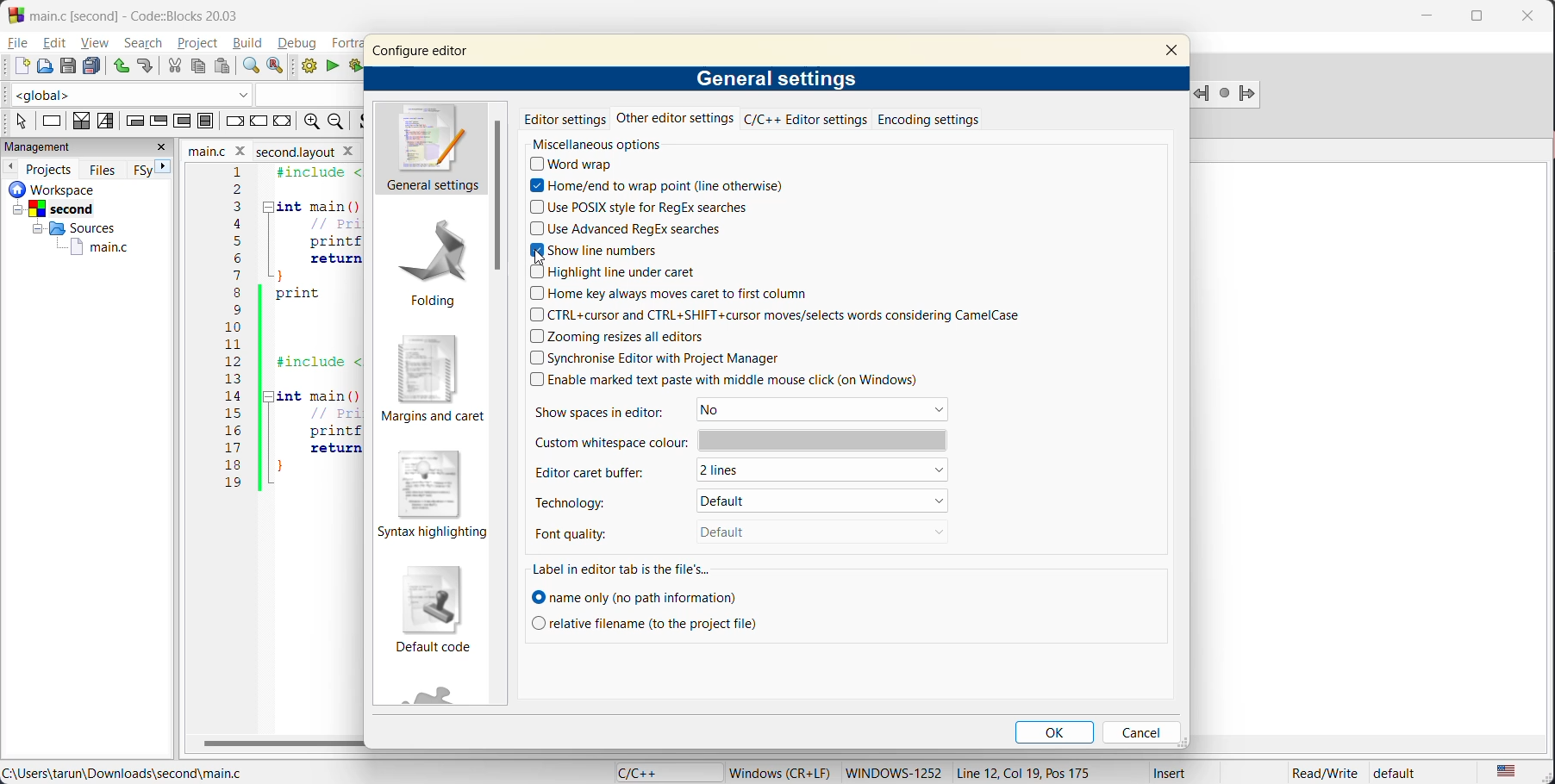  I want to click on run, so click(330, 66).